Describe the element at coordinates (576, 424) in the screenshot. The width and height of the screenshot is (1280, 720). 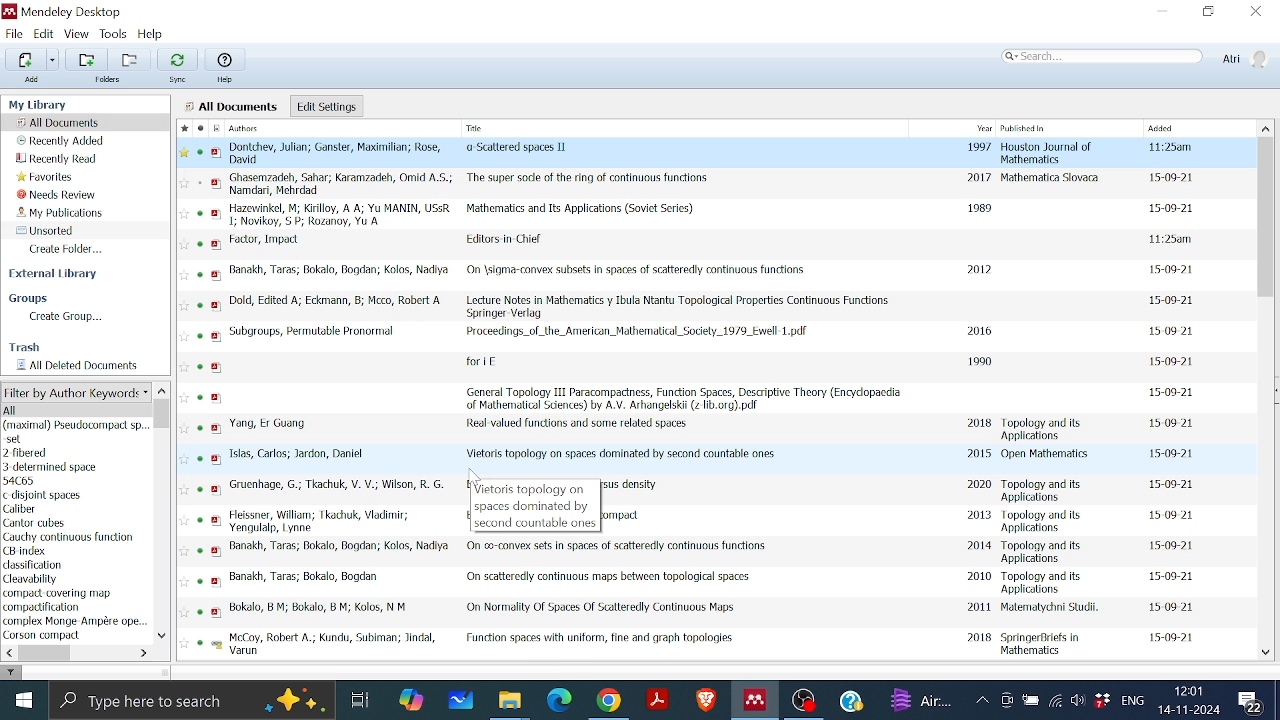
I see `Title` at that location.